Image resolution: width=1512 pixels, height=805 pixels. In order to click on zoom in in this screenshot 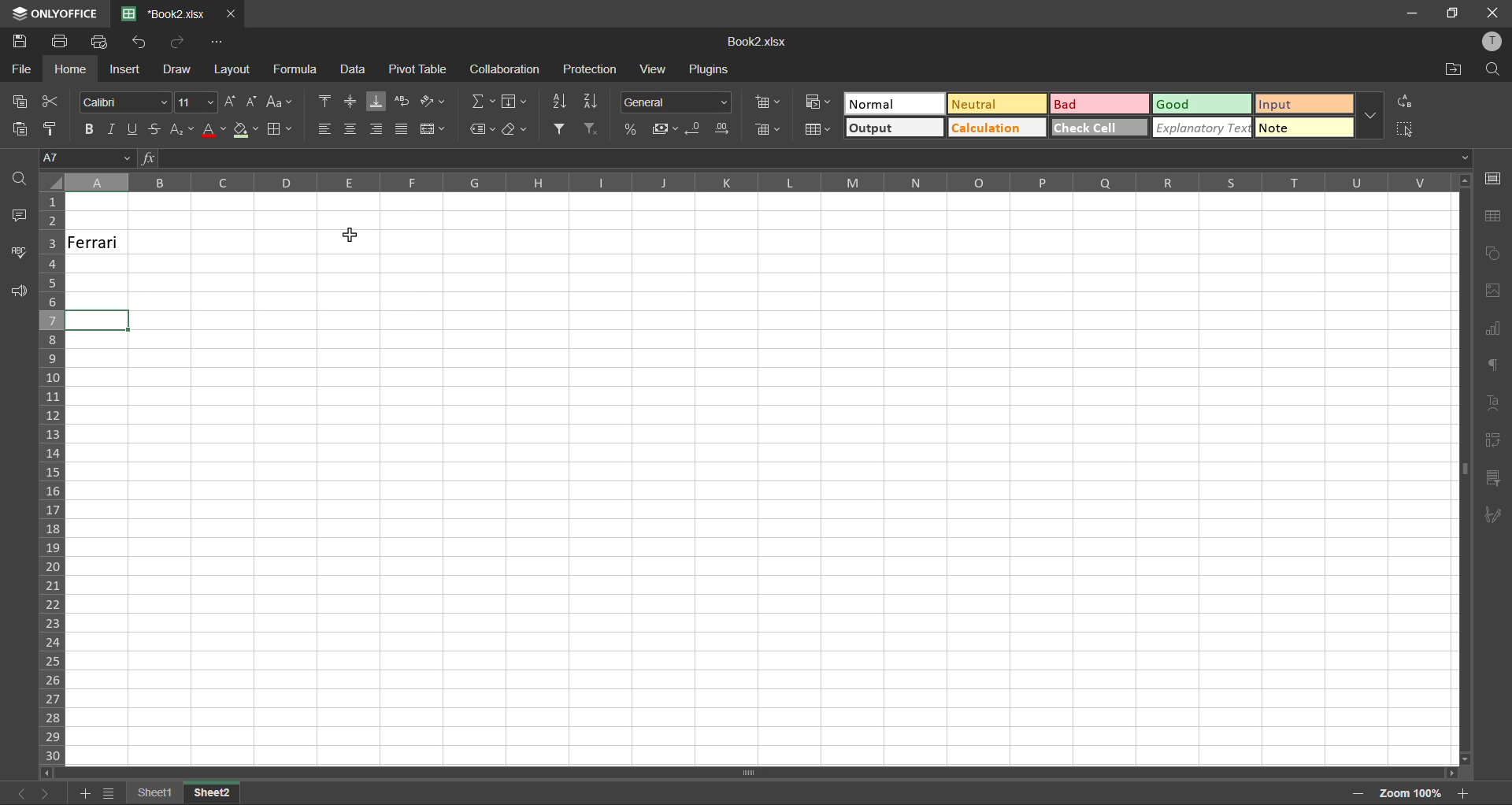, I will do `click(1460, 792)`.